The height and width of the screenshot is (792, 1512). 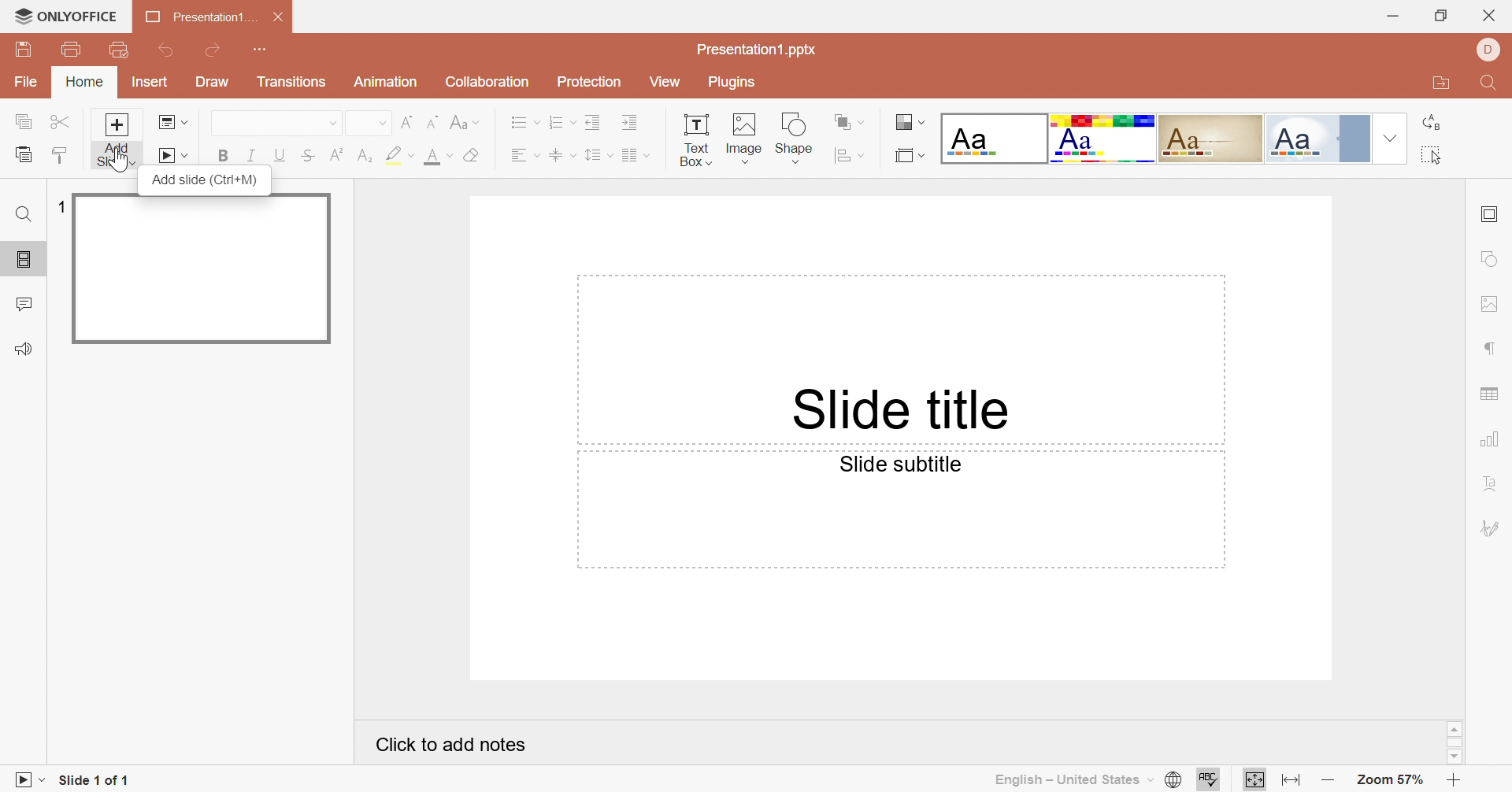 I want to click on Presentation1..., so click(x=202, y=17).